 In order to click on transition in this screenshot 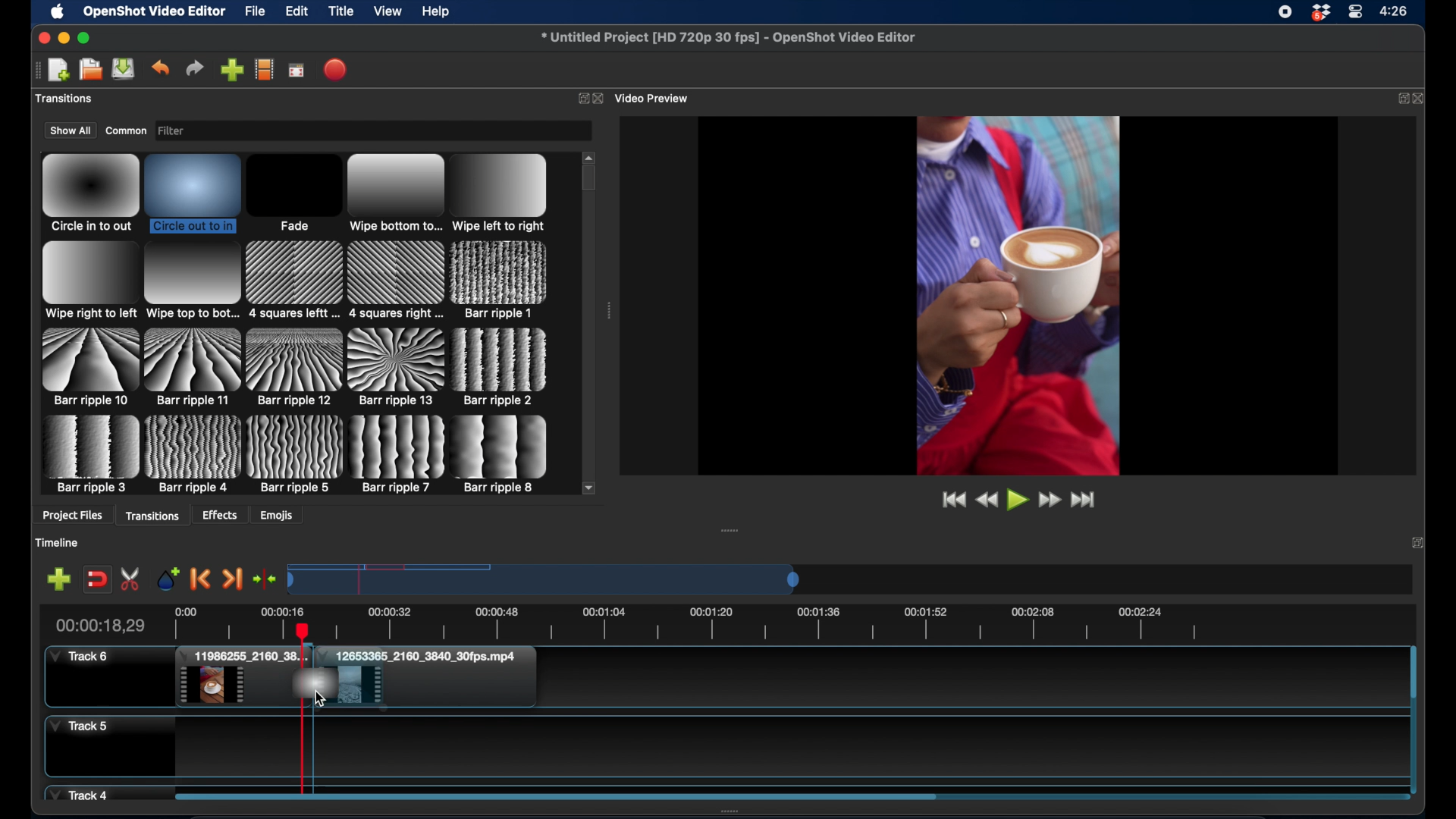, I will do `click(293, 193)`.